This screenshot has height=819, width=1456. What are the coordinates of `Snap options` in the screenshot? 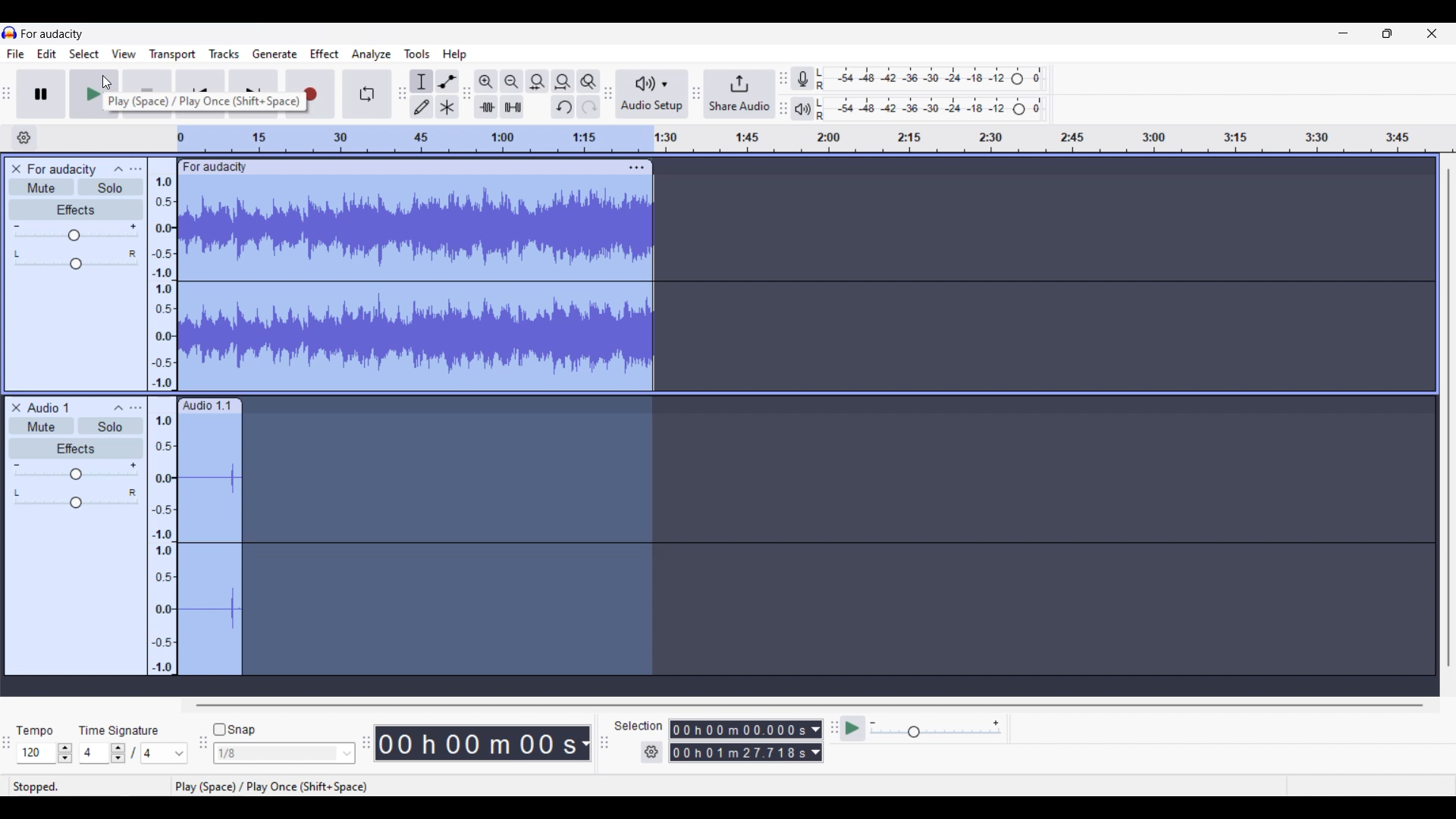 It's located at (284, 753).